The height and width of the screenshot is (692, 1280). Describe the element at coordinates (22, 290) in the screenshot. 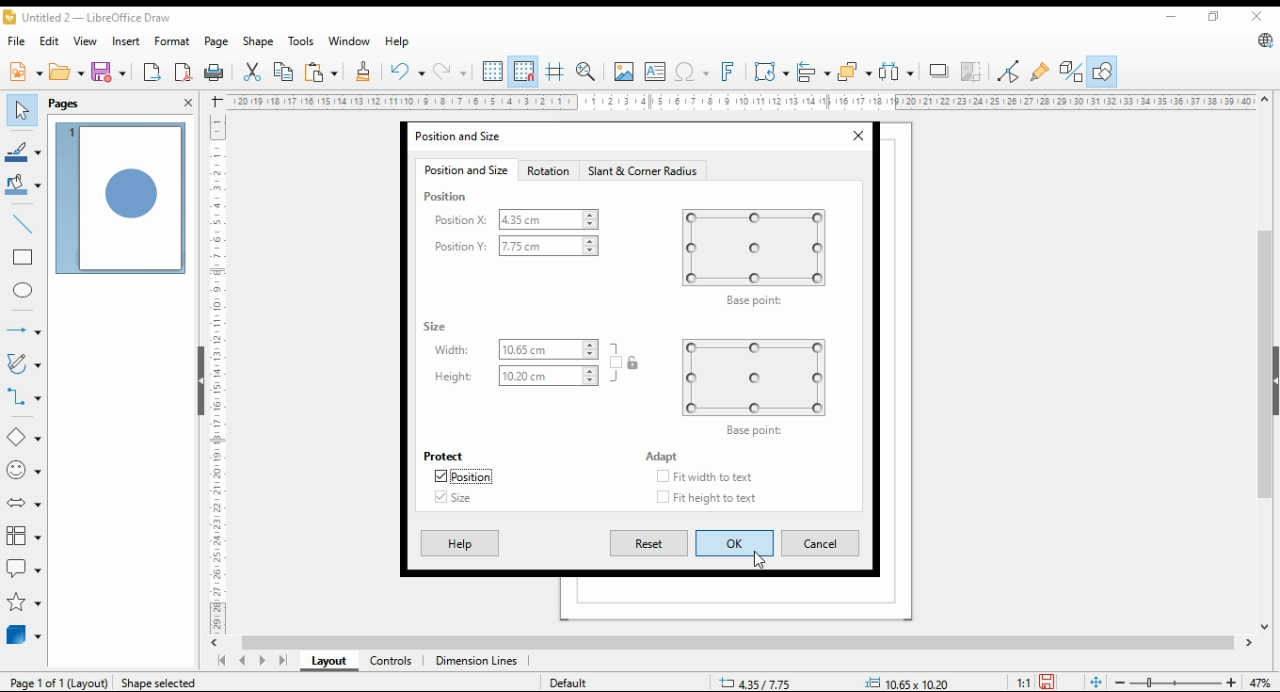

I see `ellipse` at that location.